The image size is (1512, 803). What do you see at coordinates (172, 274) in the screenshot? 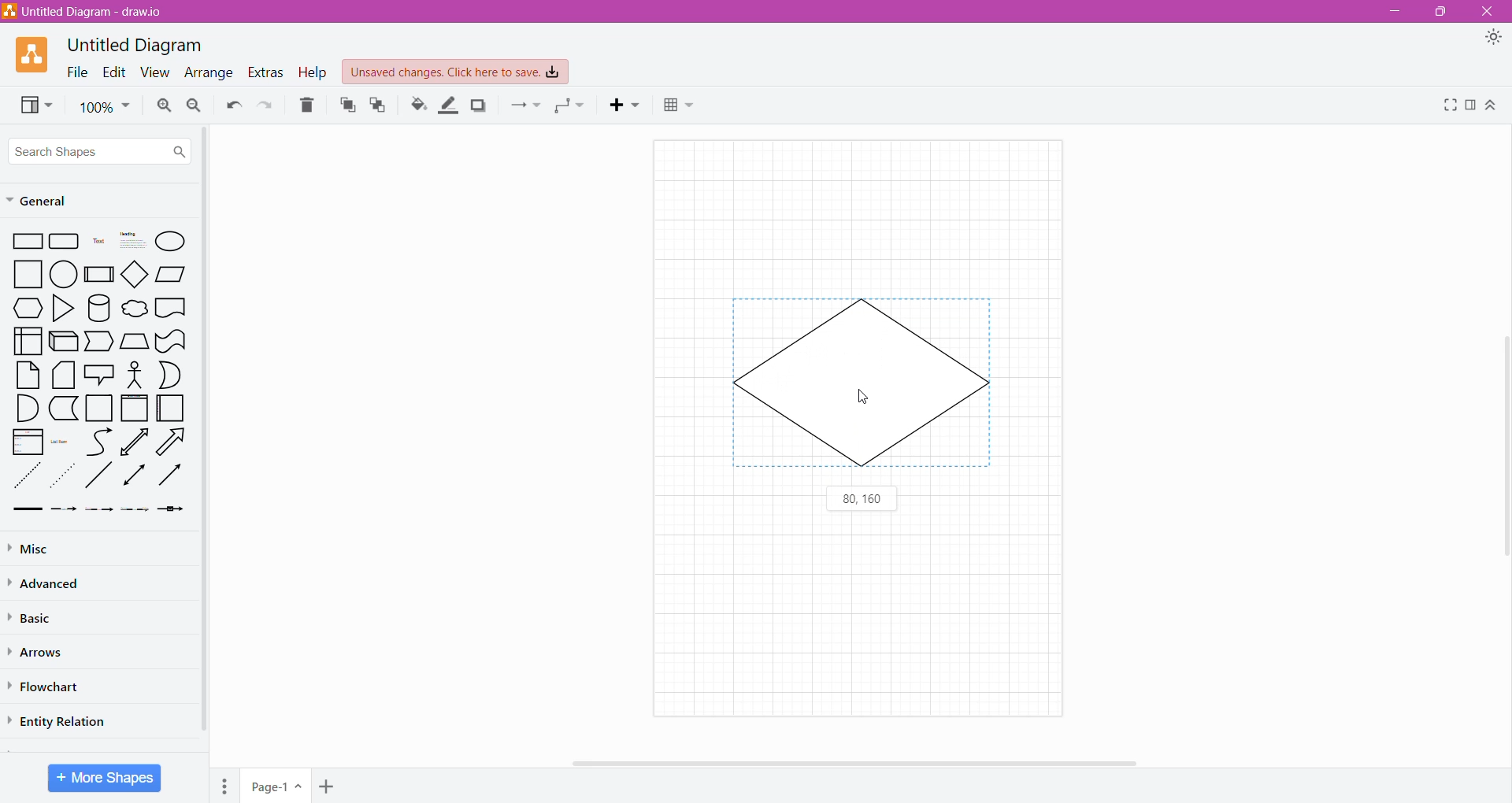
I see `Parallelogram` at bounding box center [172, 274].